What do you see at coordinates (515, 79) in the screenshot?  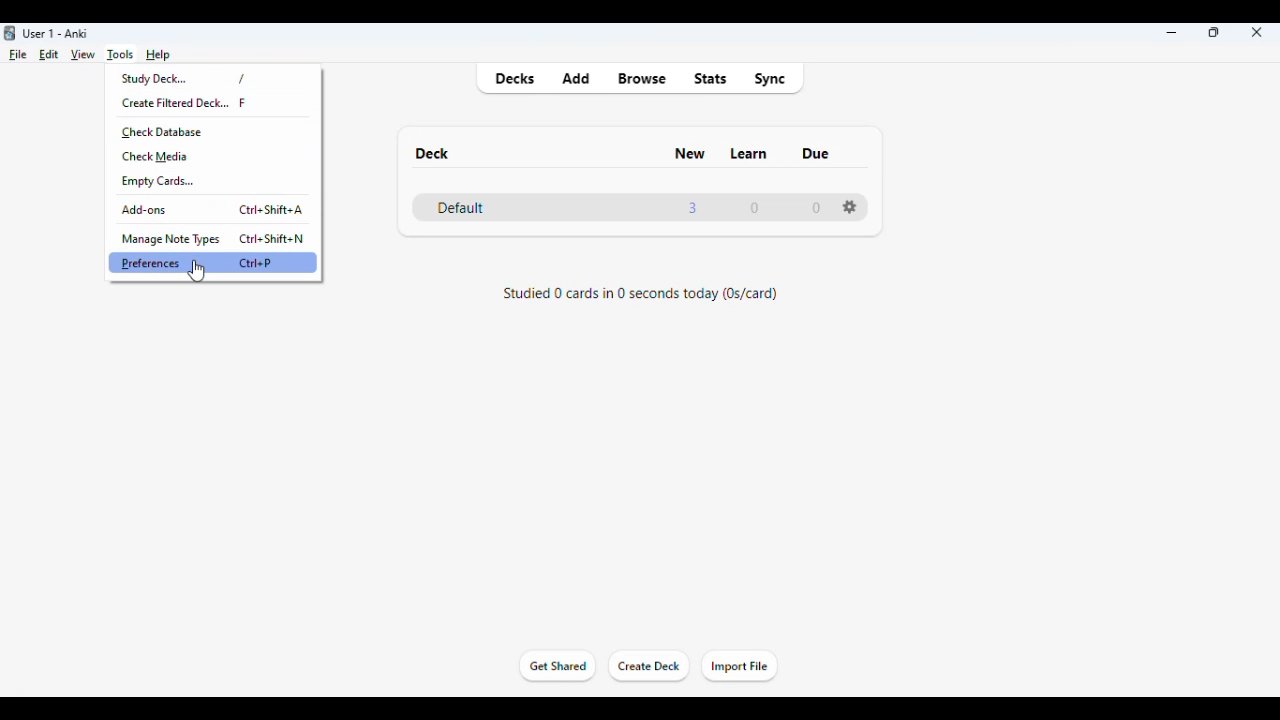 I see `decks` at bounding box center [515, 79].